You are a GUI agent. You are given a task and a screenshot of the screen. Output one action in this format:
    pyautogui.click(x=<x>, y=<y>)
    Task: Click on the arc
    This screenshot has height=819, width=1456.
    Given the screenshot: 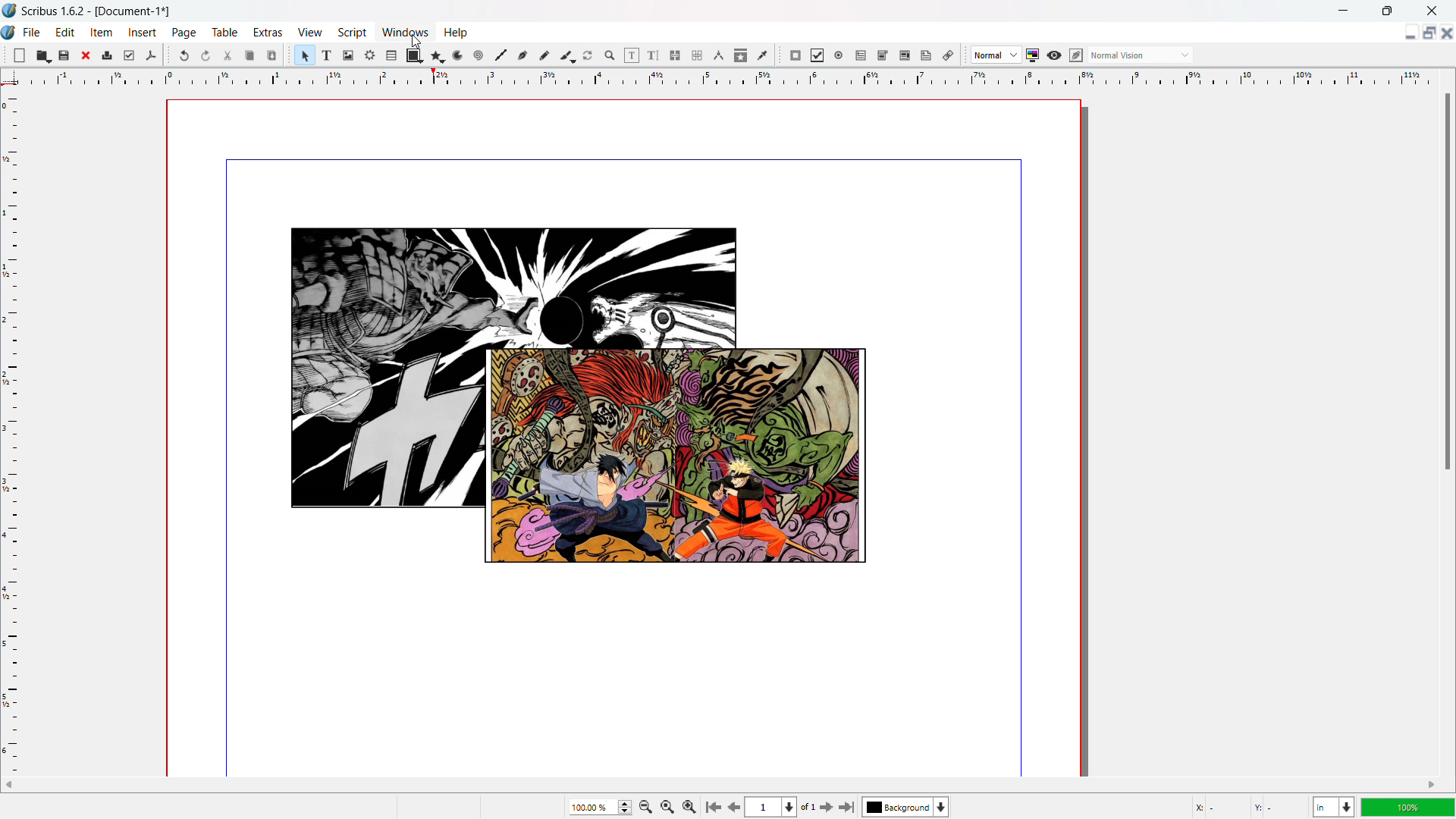 What is the action you would take?
    pyautogui.click(x=459, y=55)
    